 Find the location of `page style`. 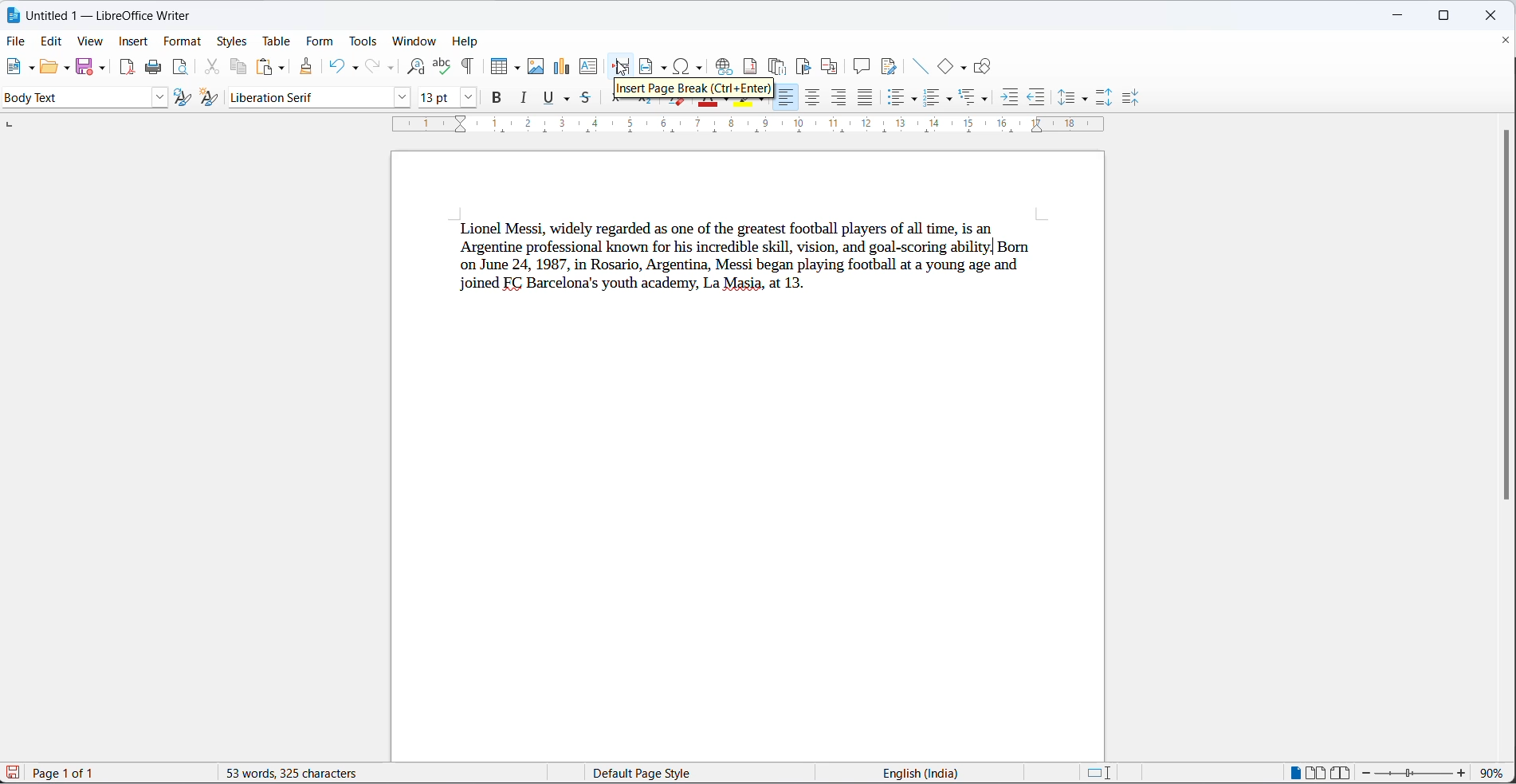

page style is located at coordinates (679, 774).